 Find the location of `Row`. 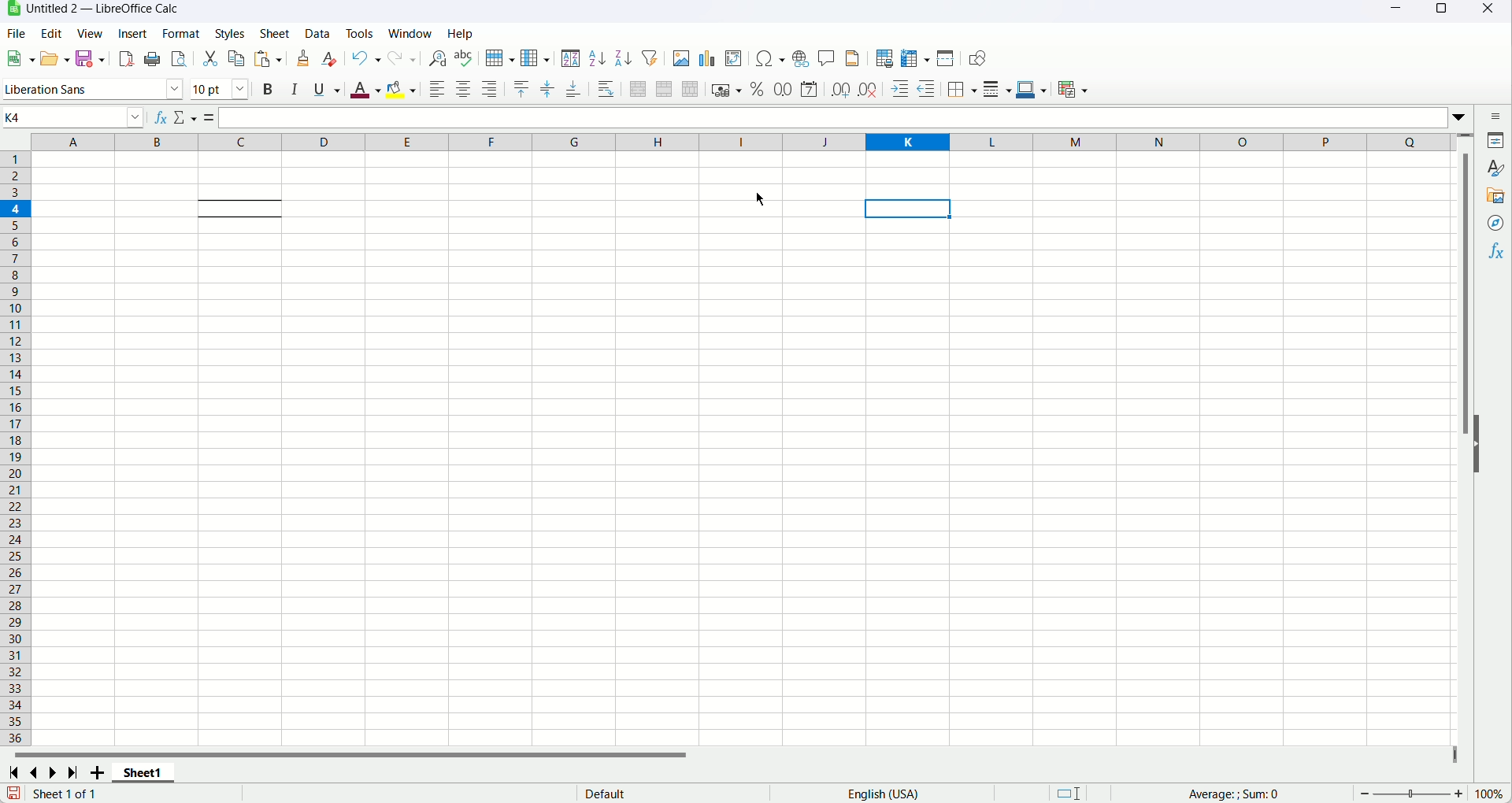

Row is located at coordinates (498, 58).